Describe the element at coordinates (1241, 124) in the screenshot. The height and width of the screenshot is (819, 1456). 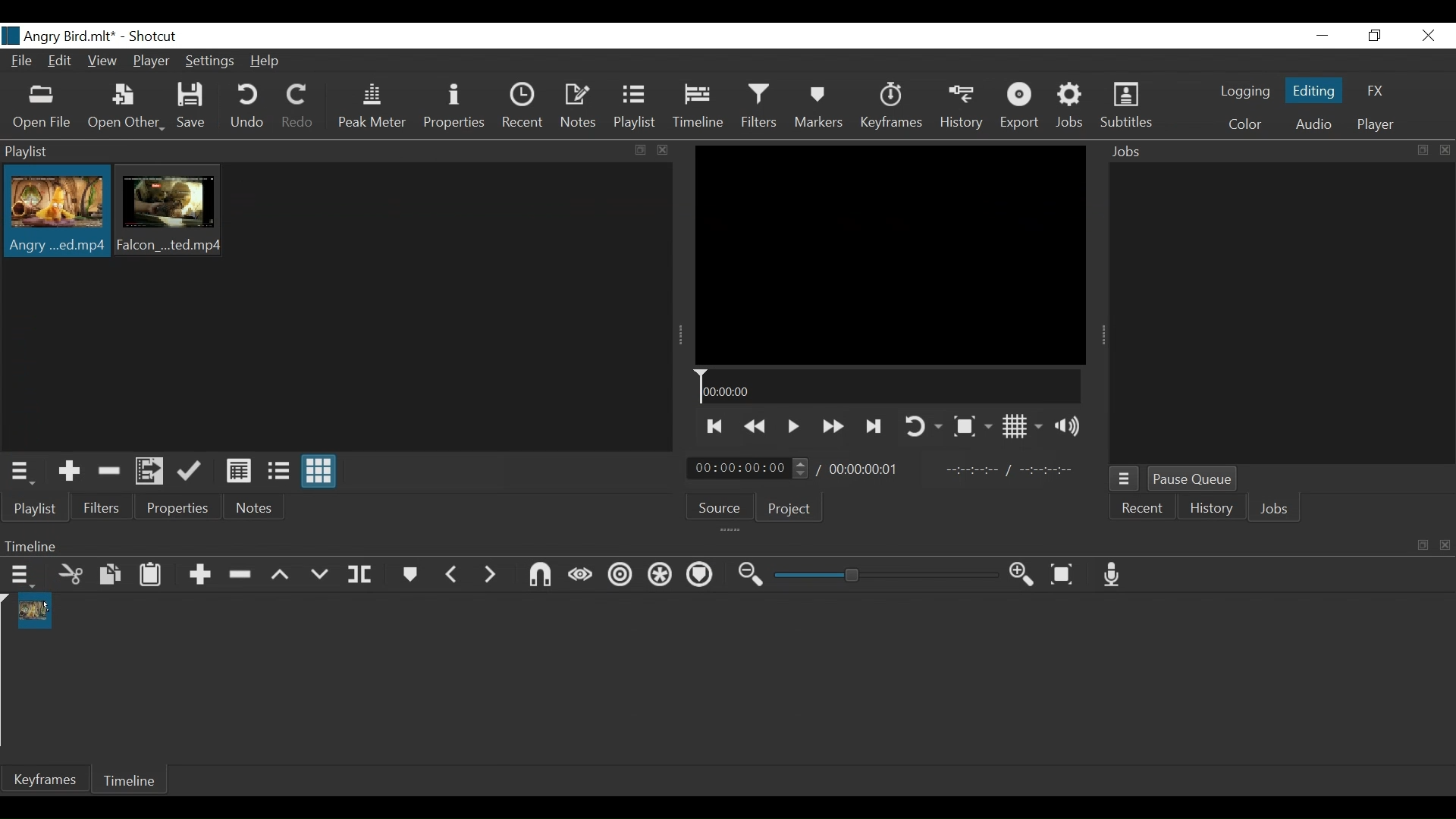
I see `Color` at that location.